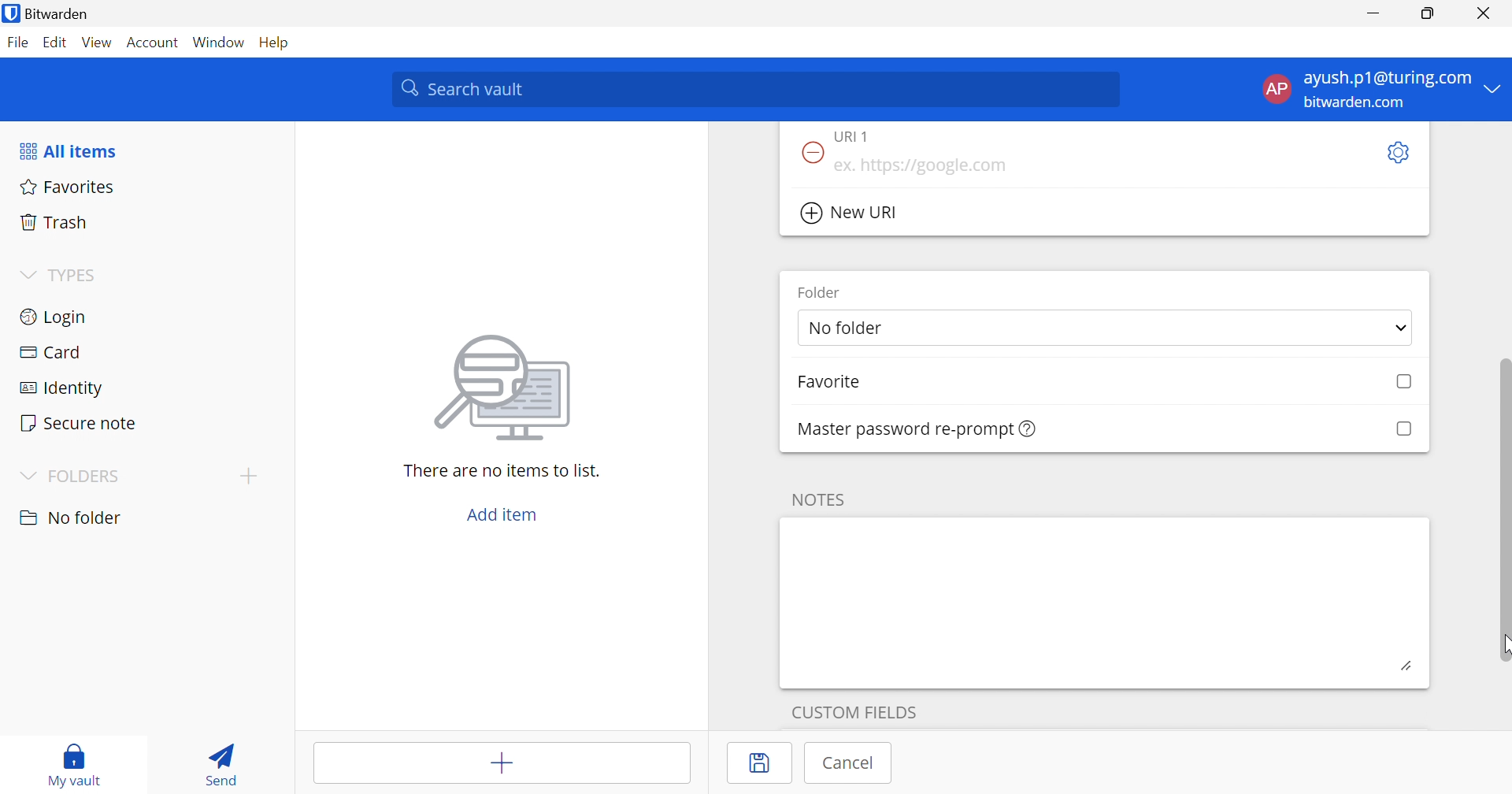 The image size is (1512, 794). What do you see at coordinates (502, 514) in the screenshot?
I see `Add item` at bounding box center [502, 514].